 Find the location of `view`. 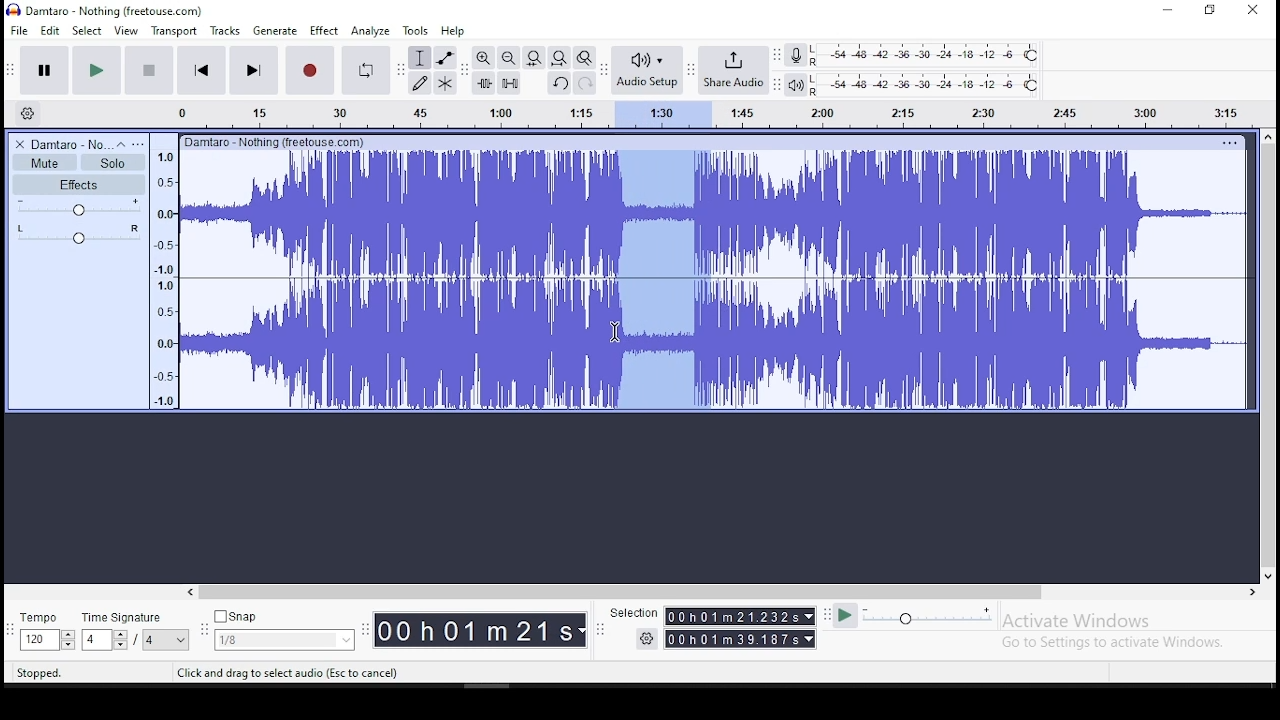

view is located at coordinates (126, 31).